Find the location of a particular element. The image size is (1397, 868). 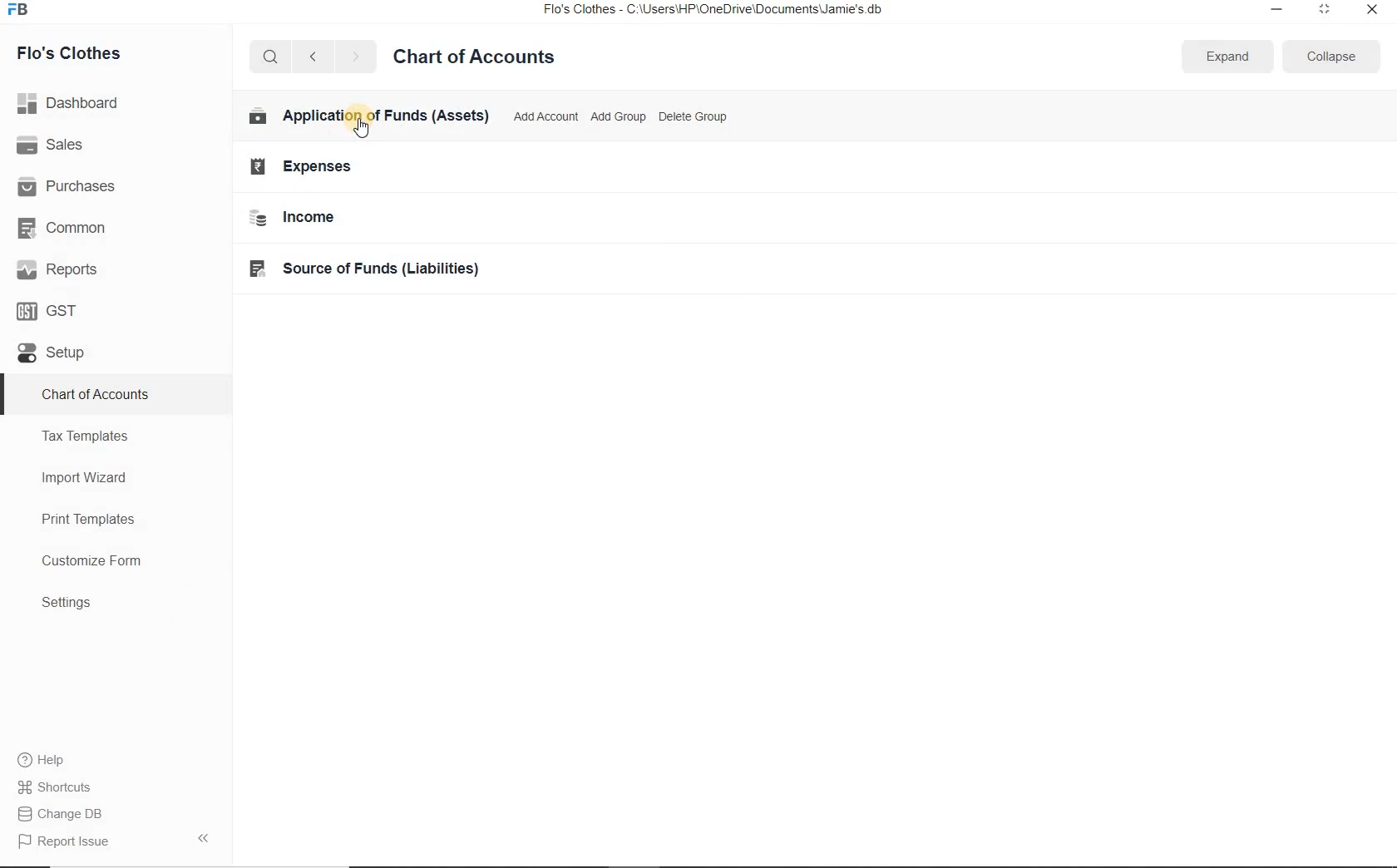

minimize is located at coordinates (1275, 8).